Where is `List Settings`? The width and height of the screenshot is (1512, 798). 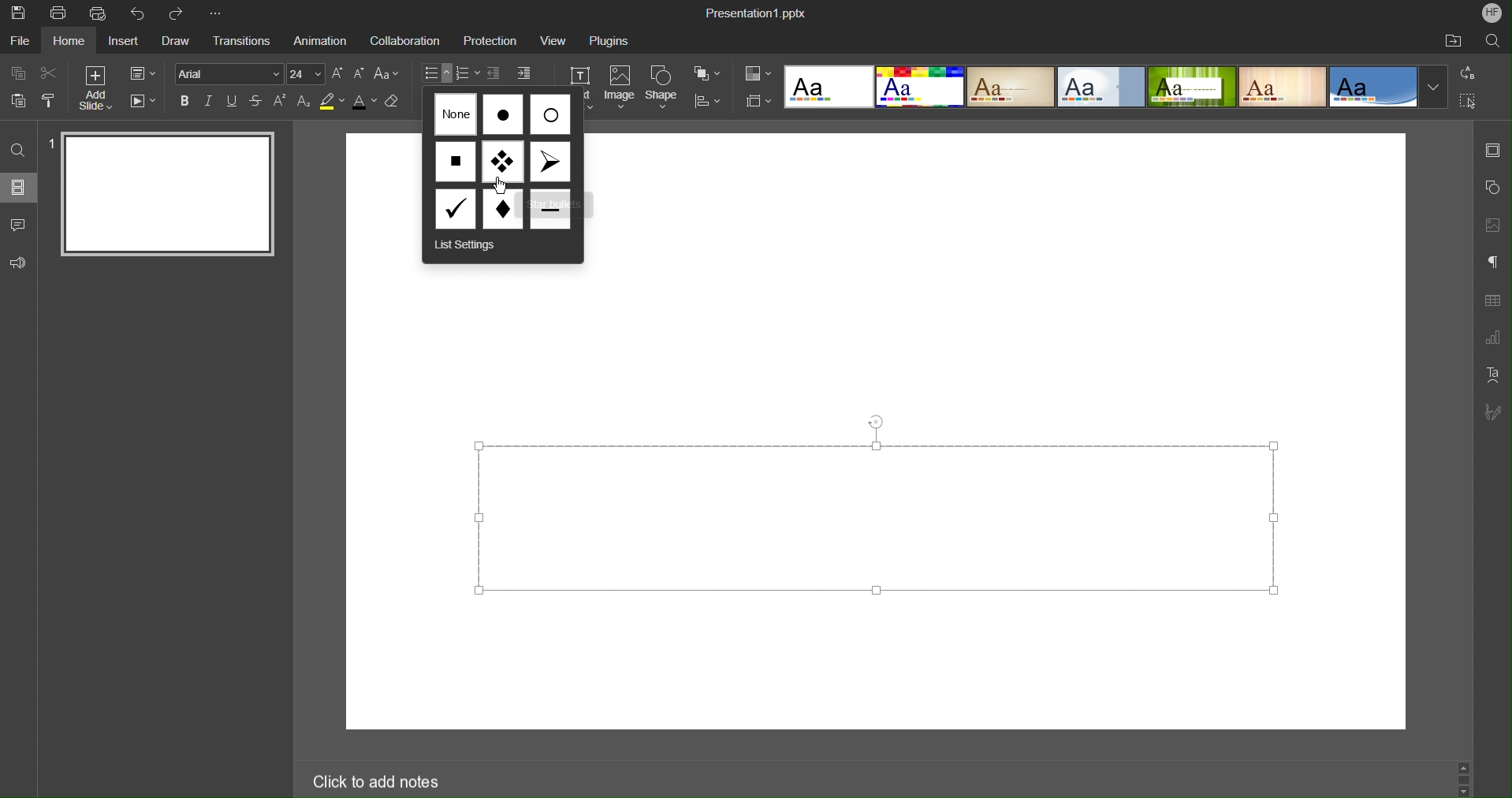
List Settings is located at coordinates (464, 246).